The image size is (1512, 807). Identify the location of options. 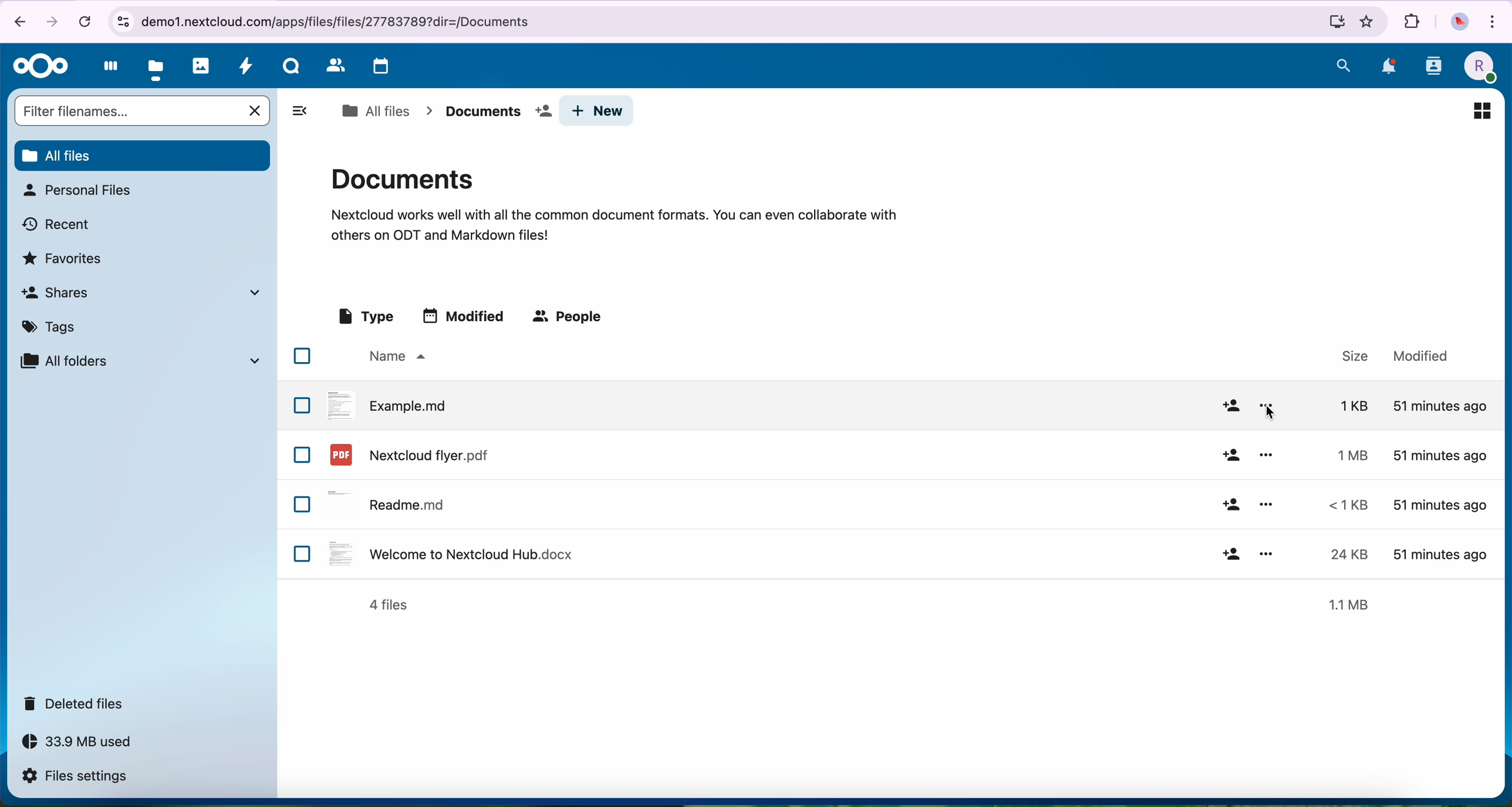
(1268, 552).